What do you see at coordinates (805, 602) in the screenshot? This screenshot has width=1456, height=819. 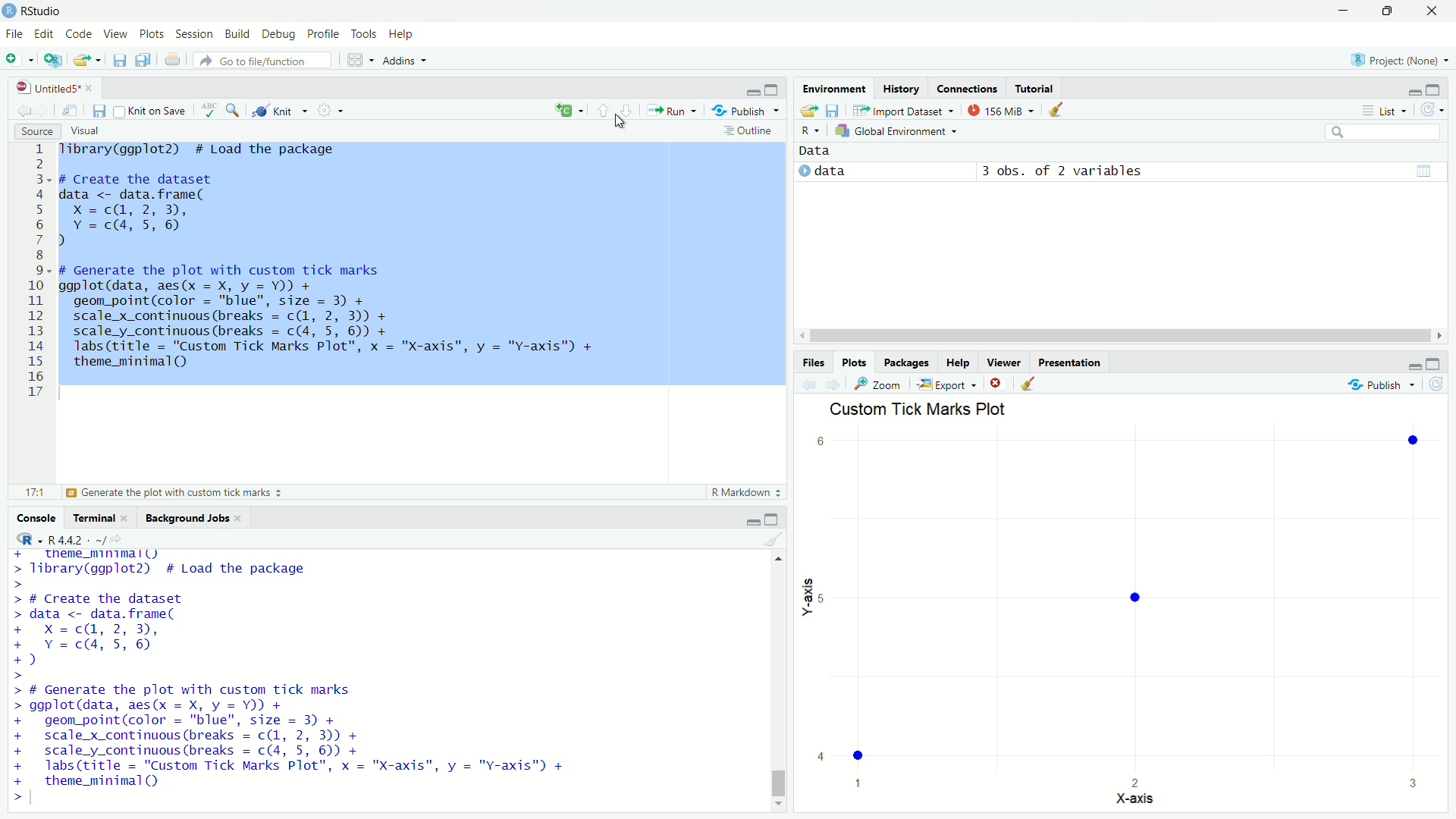 I see `y-axis` at bounding box center [805, 602].